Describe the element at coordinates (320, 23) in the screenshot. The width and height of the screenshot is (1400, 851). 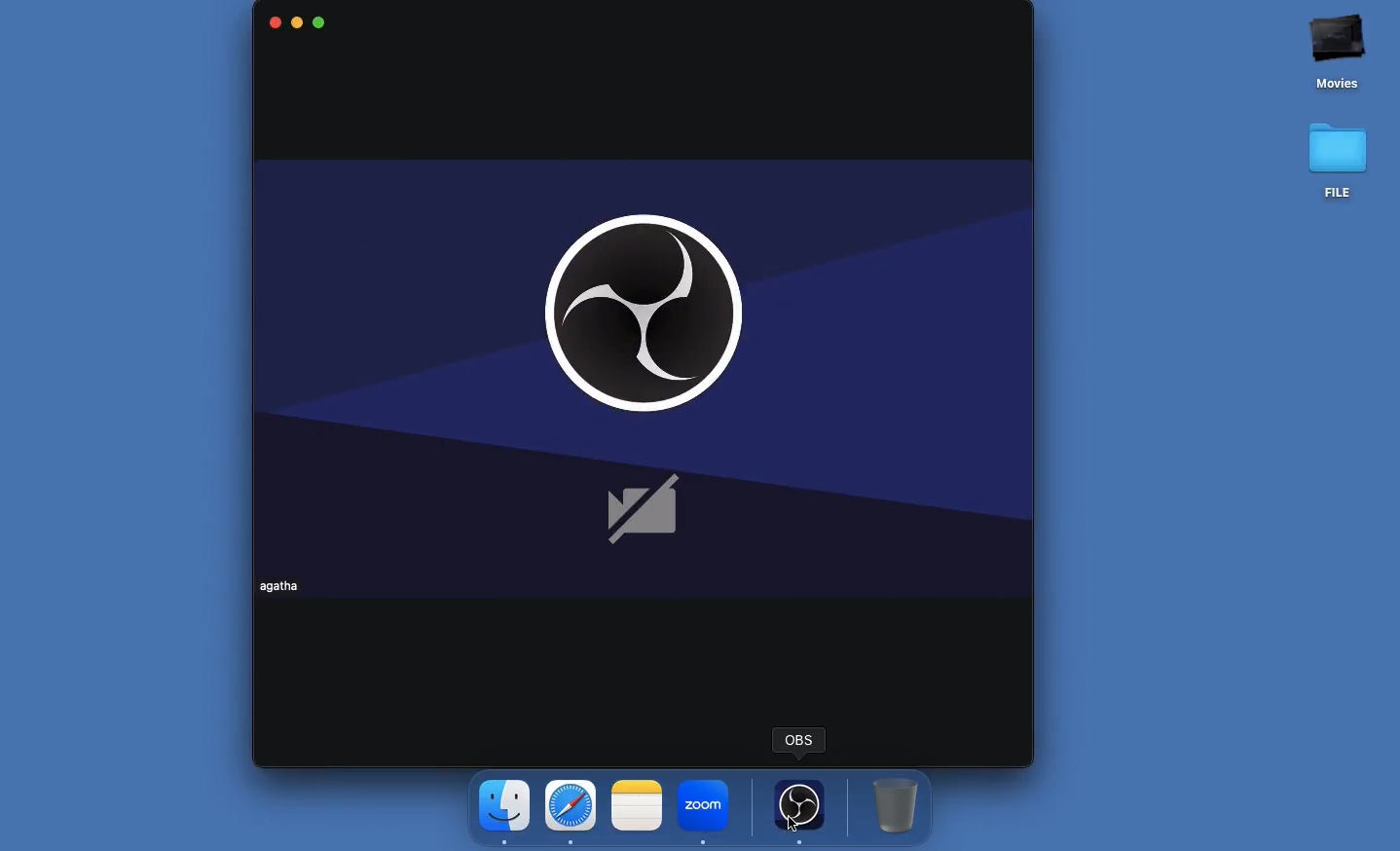
I see `Maximize` at that location.